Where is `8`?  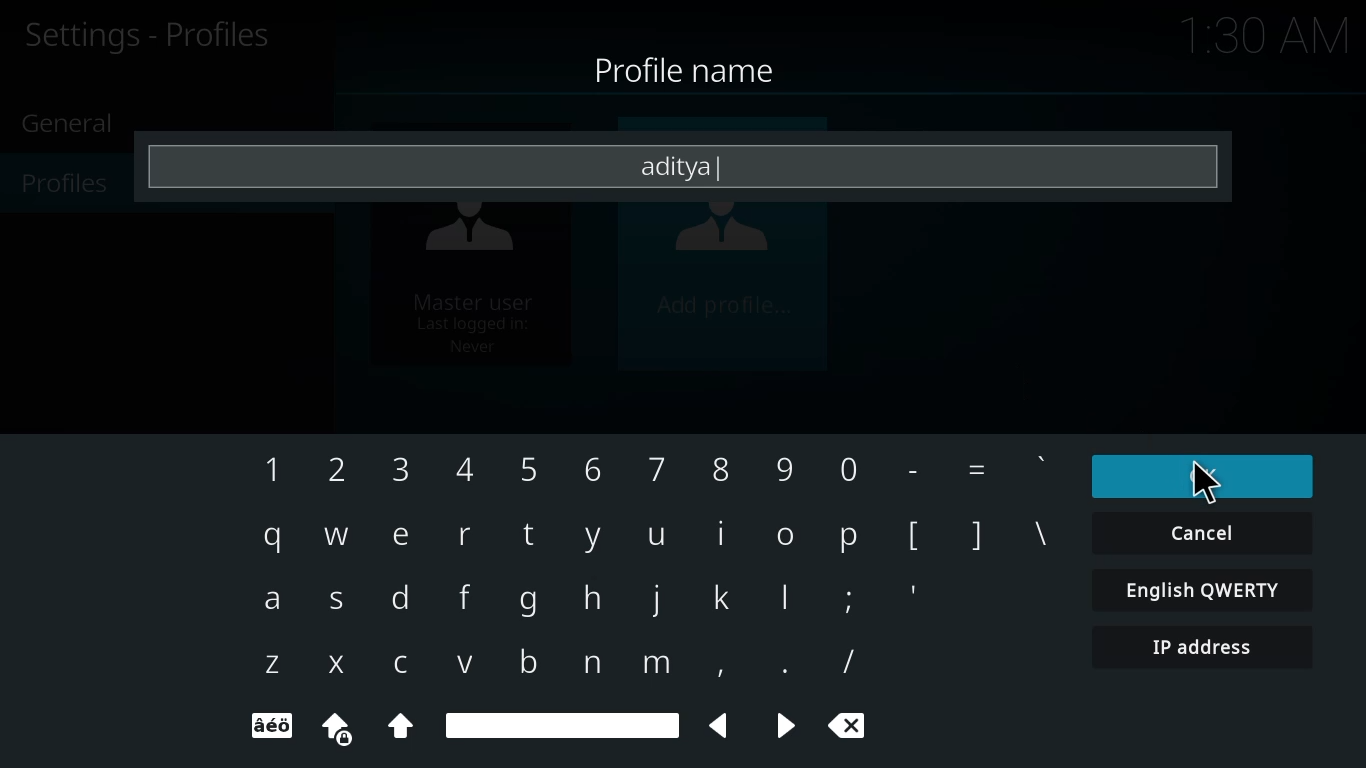 8 is located at coordinates (718, 473).